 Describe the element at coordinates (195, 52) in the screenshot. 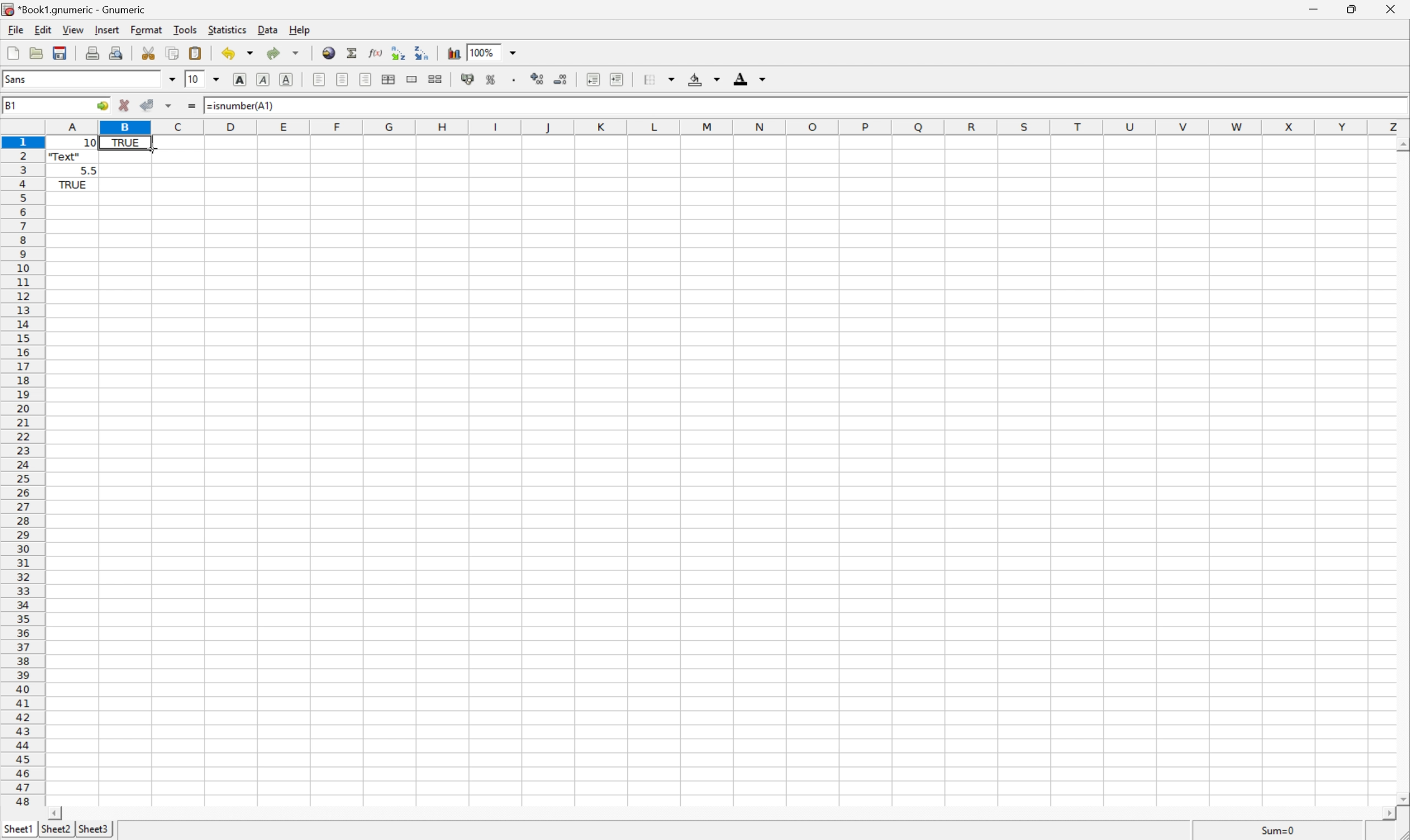

I see `Paste a clipboard` at that location.